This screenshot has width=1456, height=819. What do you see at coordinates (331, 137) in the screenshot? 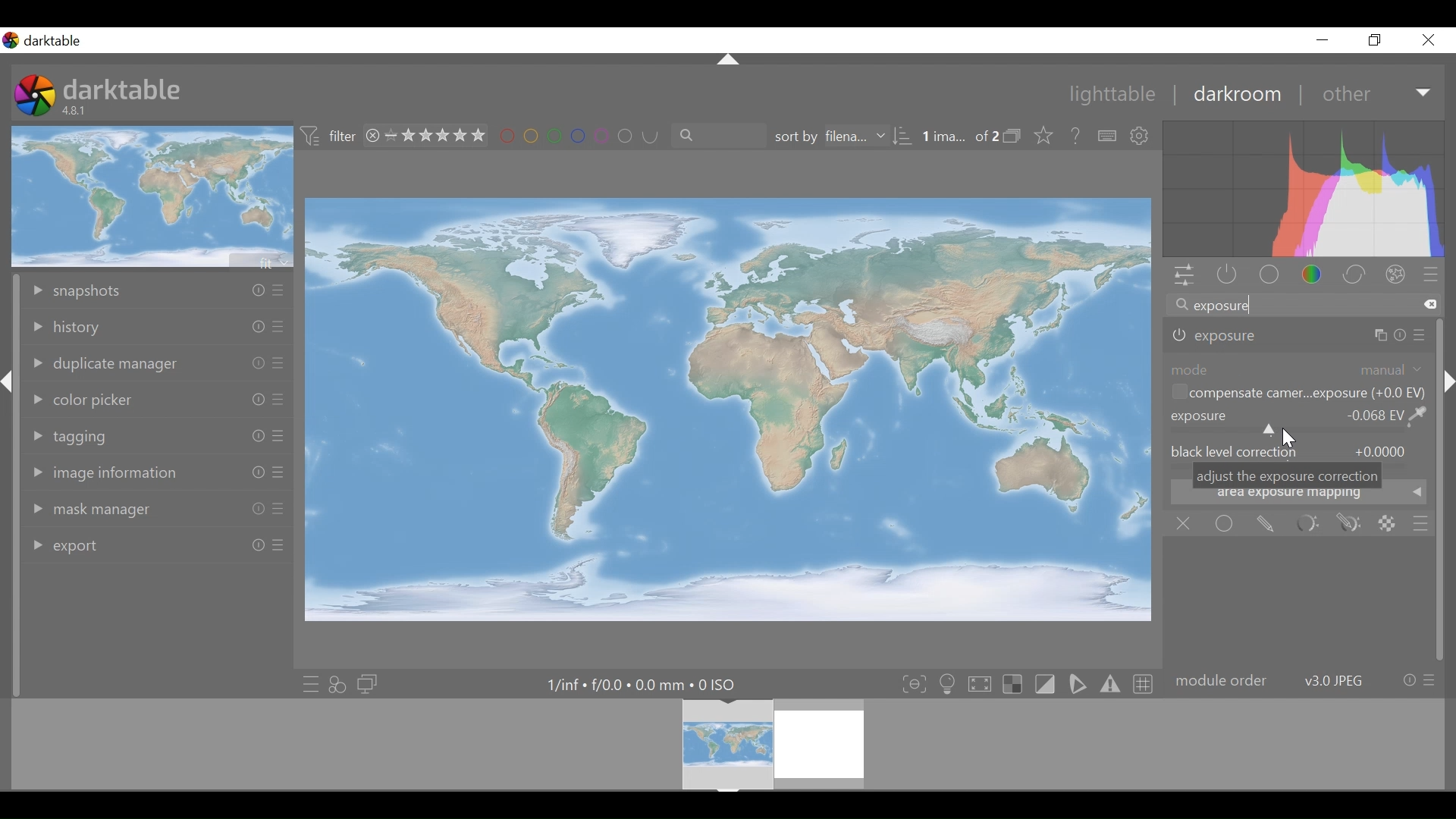
I see `Filter` at bounding box center [331, 137].